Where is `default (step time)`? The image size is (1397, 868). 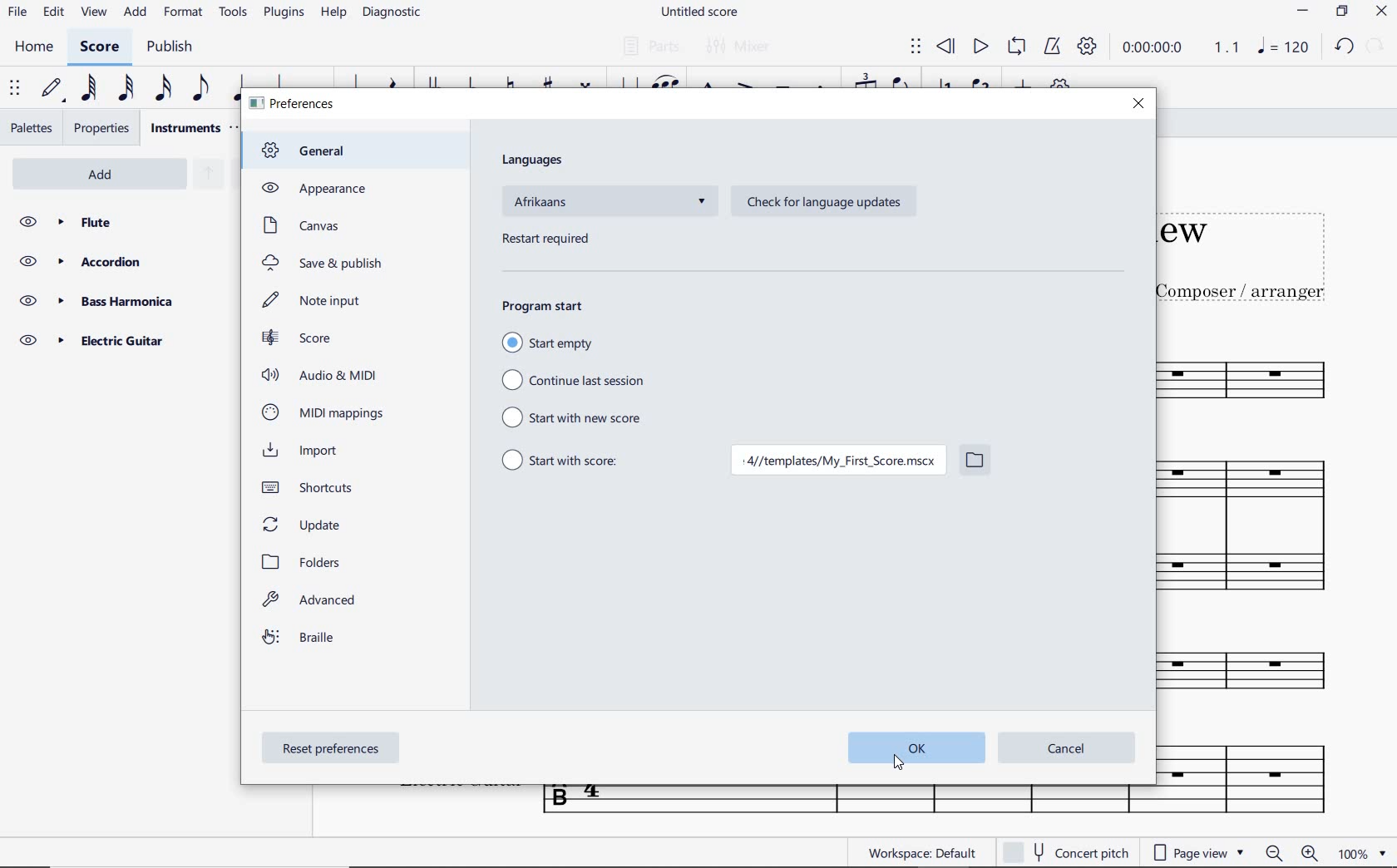 default (step time) is located at coordinates (52, 89).